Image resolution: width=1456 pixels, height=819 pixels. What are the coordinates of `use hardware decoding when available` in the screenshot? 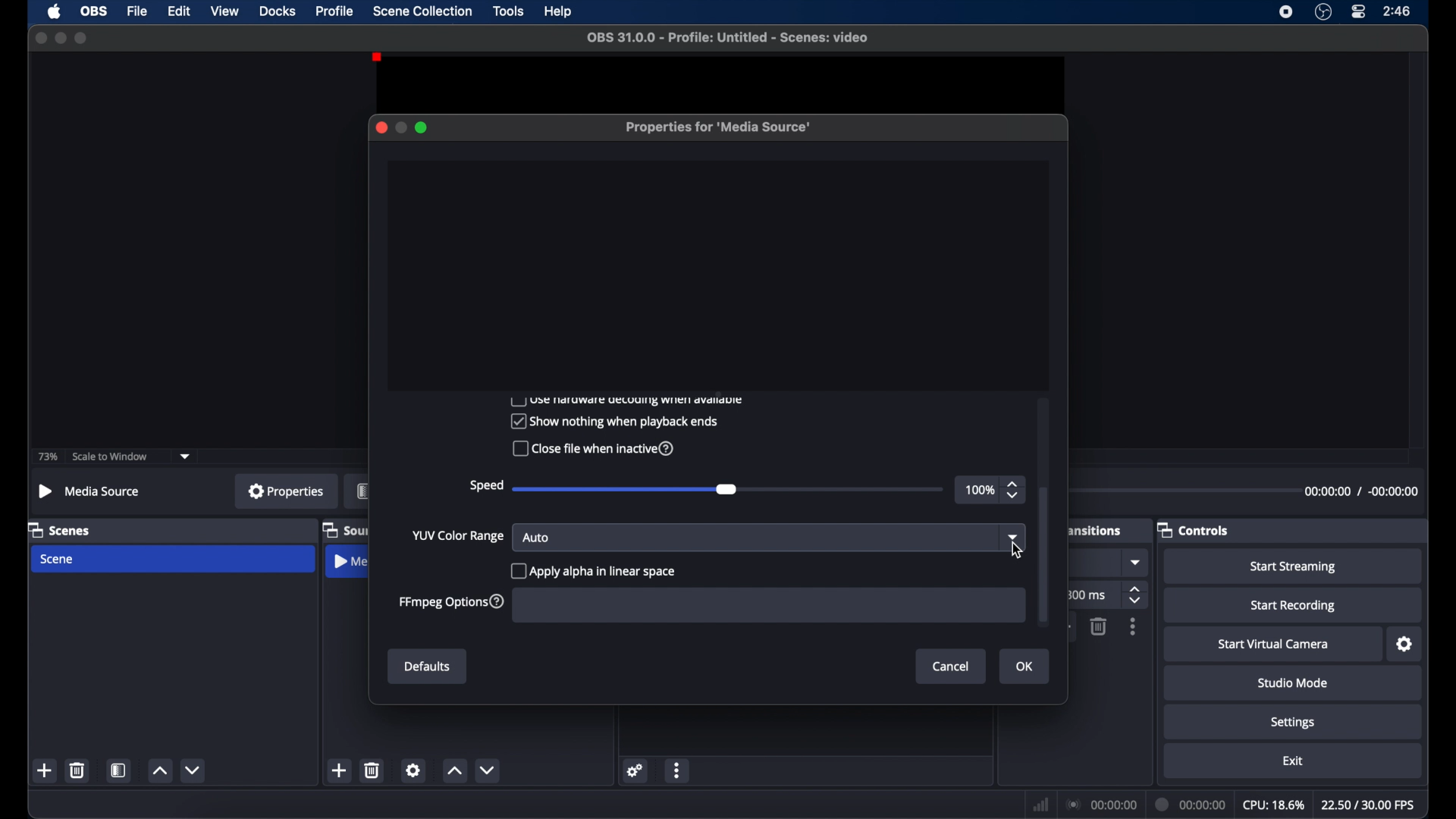 It's located at (627, 400).